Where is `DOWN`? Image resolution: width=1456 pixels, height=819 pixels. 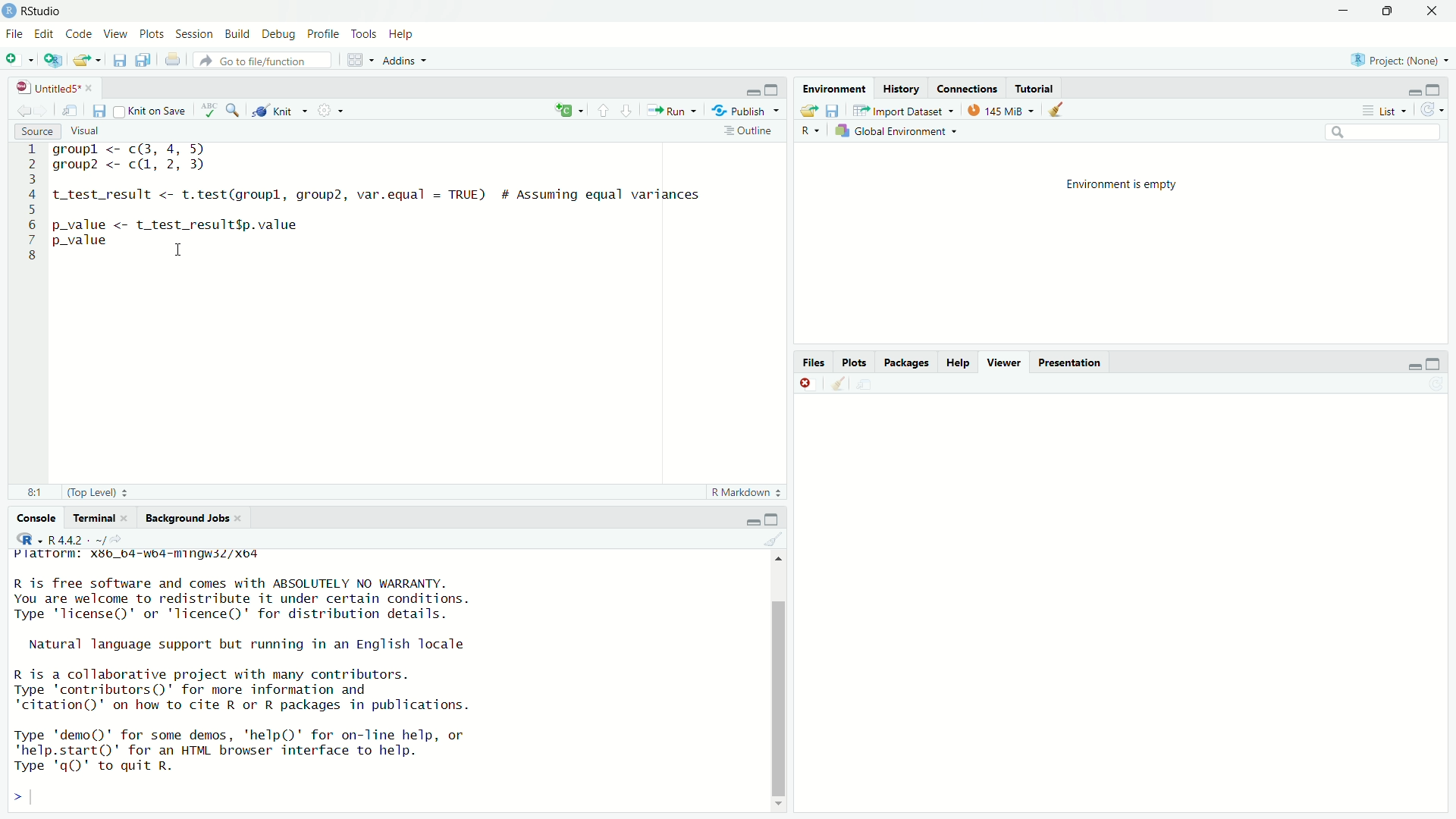
DOWN is located at coordinates (1386, 11).